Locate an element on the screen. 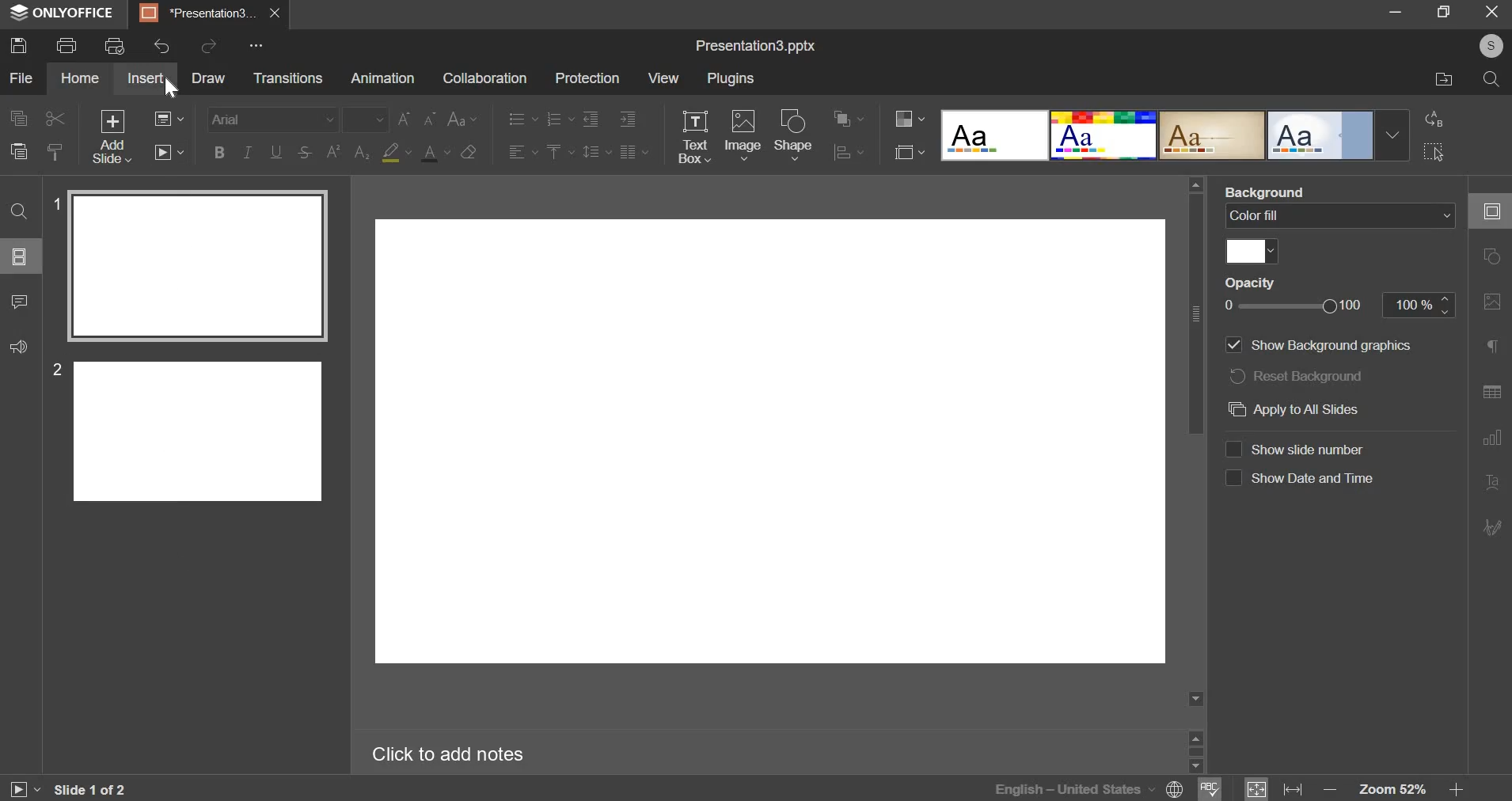 The height and width of the screenshot is (801, 1512). play is located at coordinates (24, 790).